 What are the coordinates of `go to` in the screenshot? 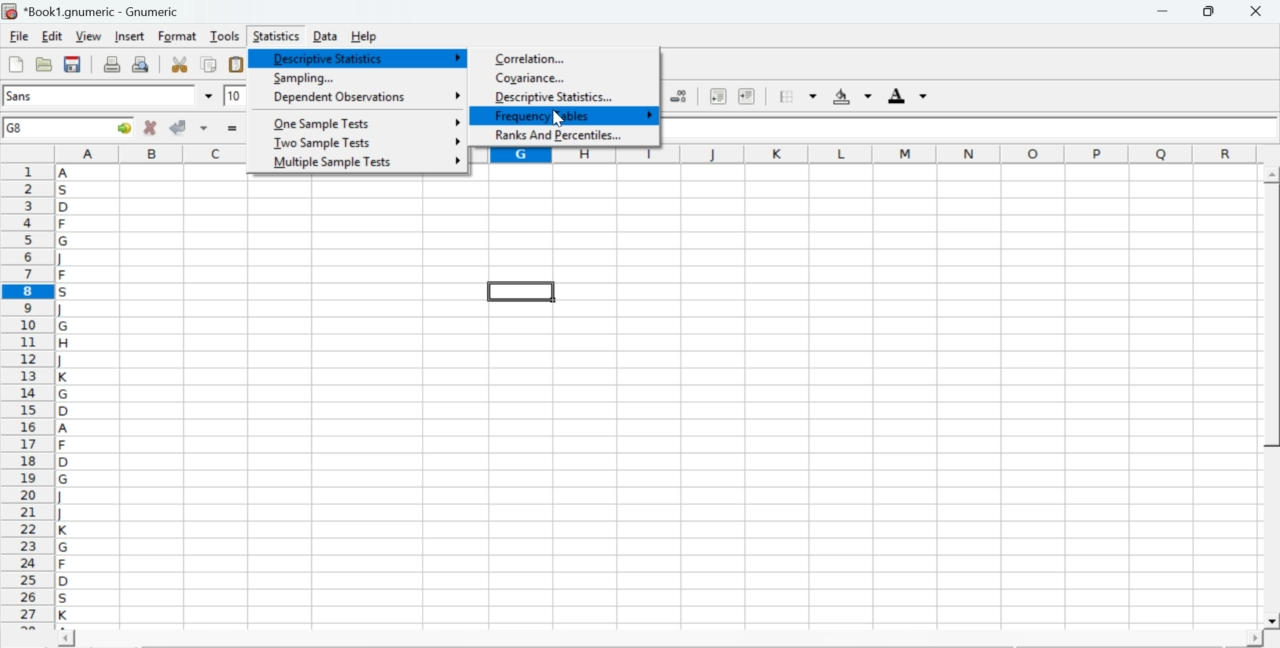 It's located at (122, 127).